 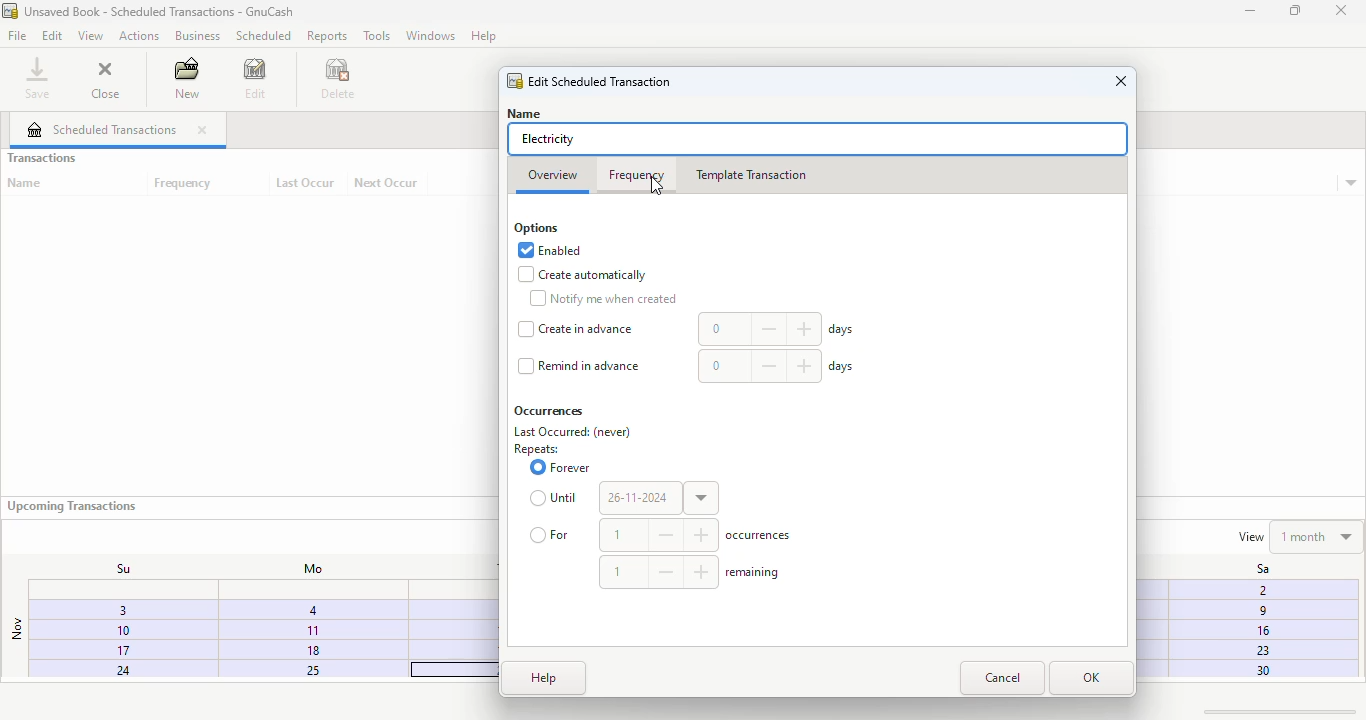 What do you see at coordinates (553, 176) in the screenshot?
I see `overview` at bounding box center [553, 176].